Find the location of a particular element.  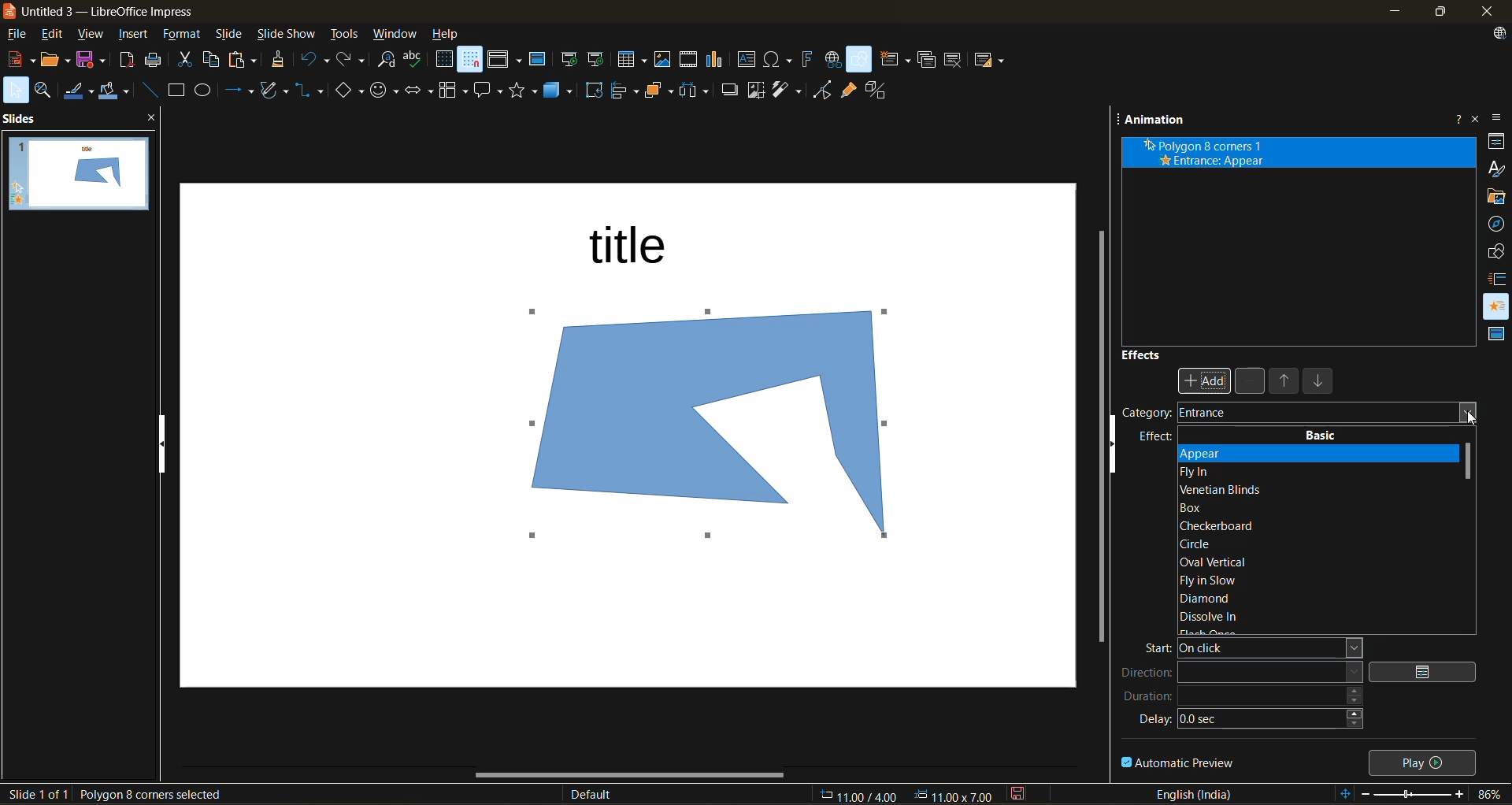

toggle point mode is located at coordinates (823, 91).